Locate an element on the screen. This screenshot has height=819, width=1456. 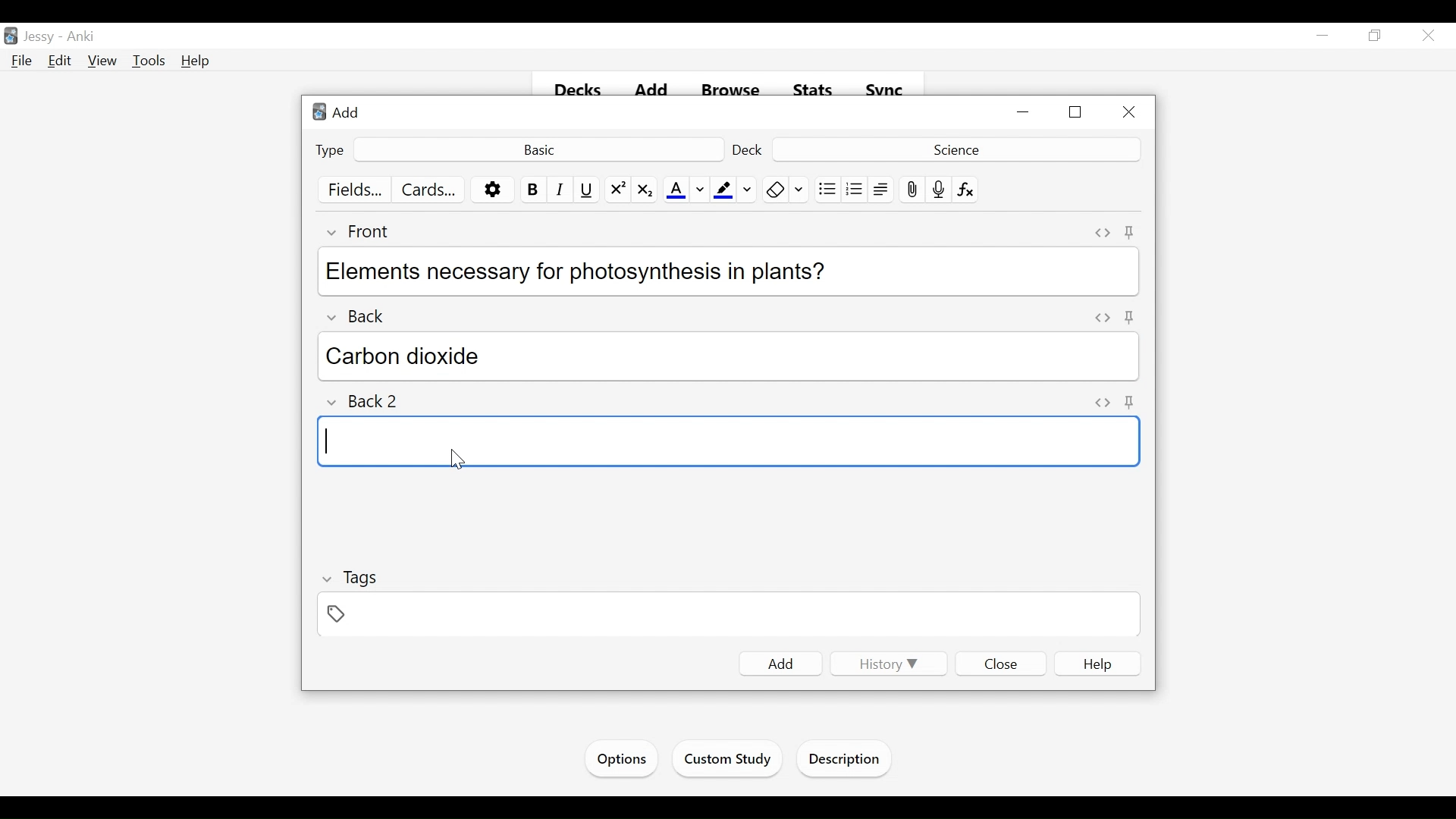
Change Color is located at coordinates (748, 190).